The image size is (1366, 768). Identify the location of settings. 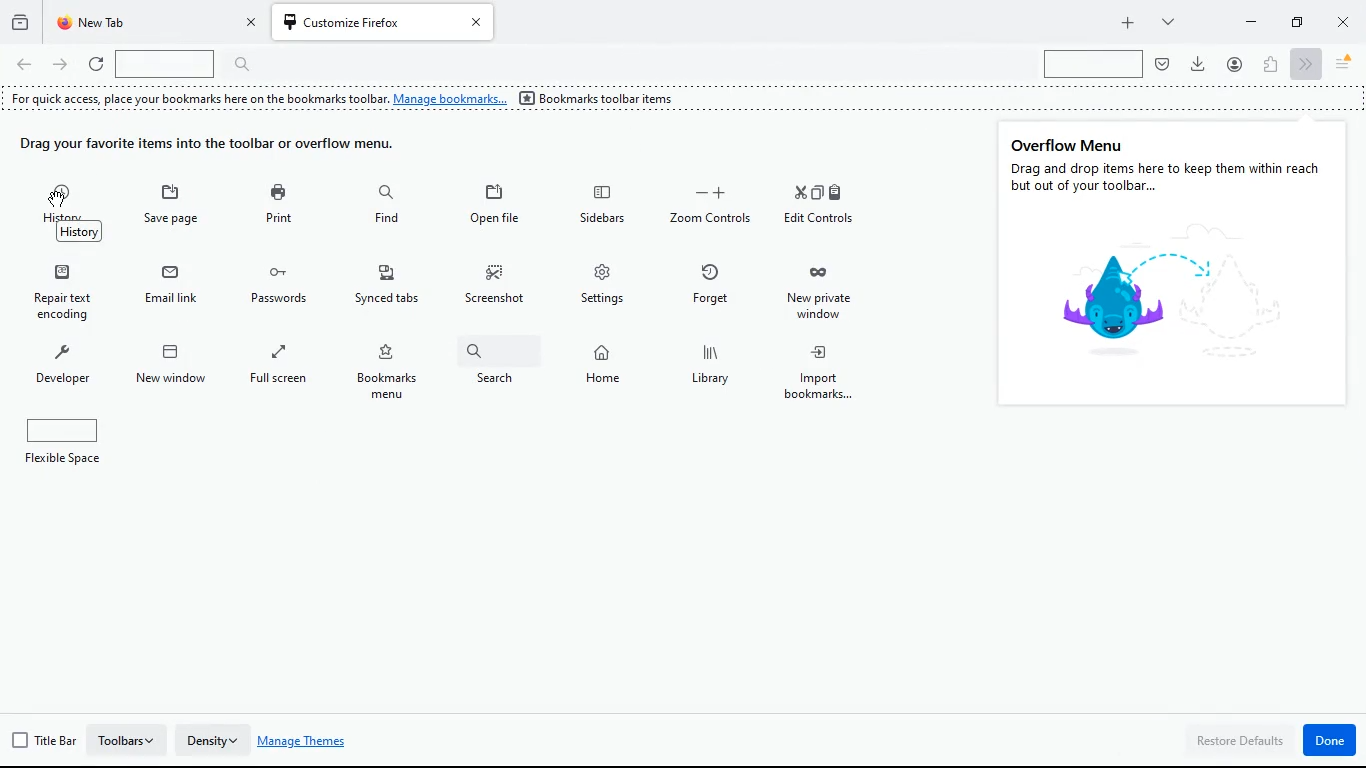
(607, 285).